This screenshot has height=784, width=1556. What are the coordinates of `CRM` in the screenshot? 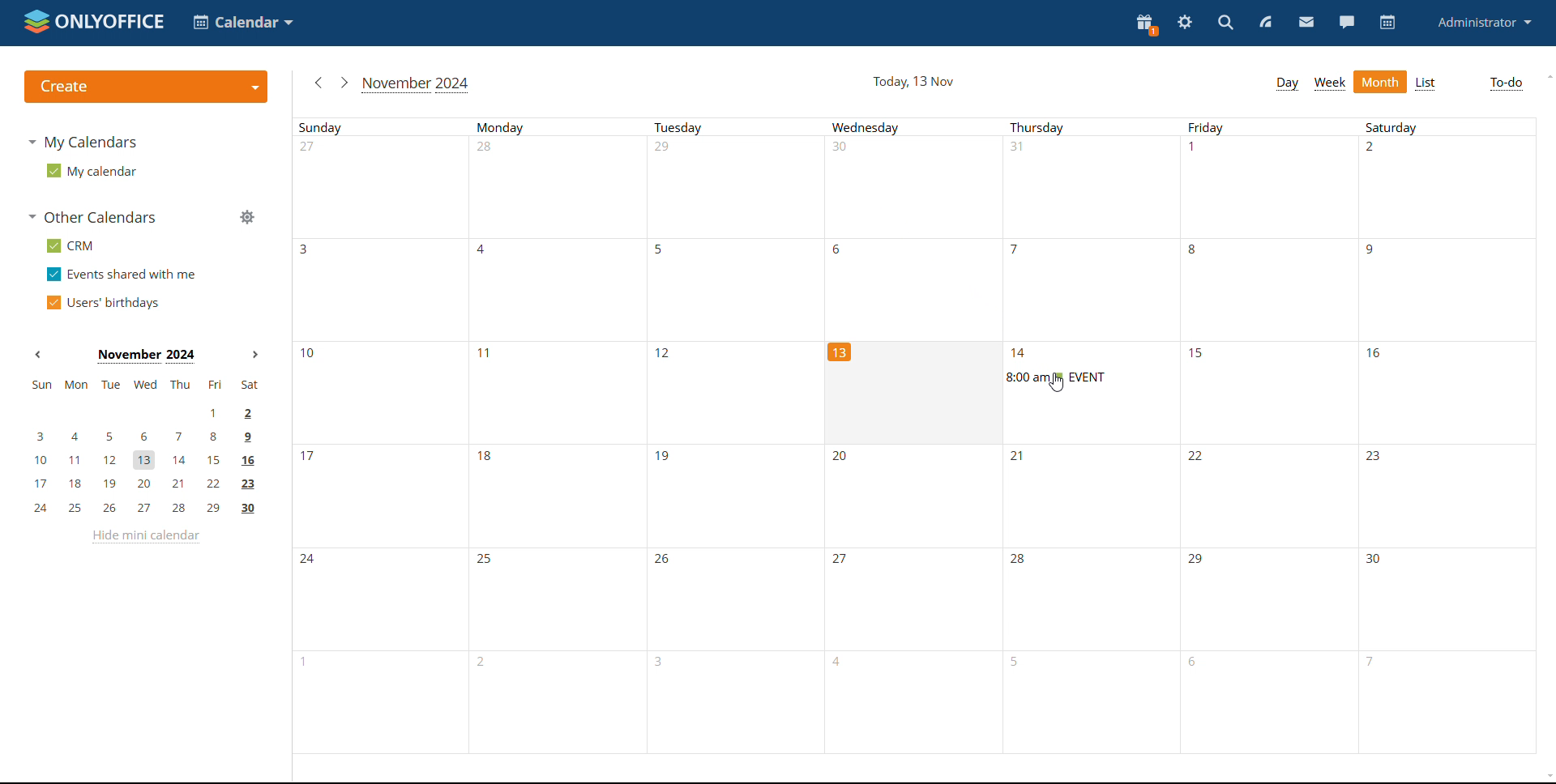 It's located at (71, 245).